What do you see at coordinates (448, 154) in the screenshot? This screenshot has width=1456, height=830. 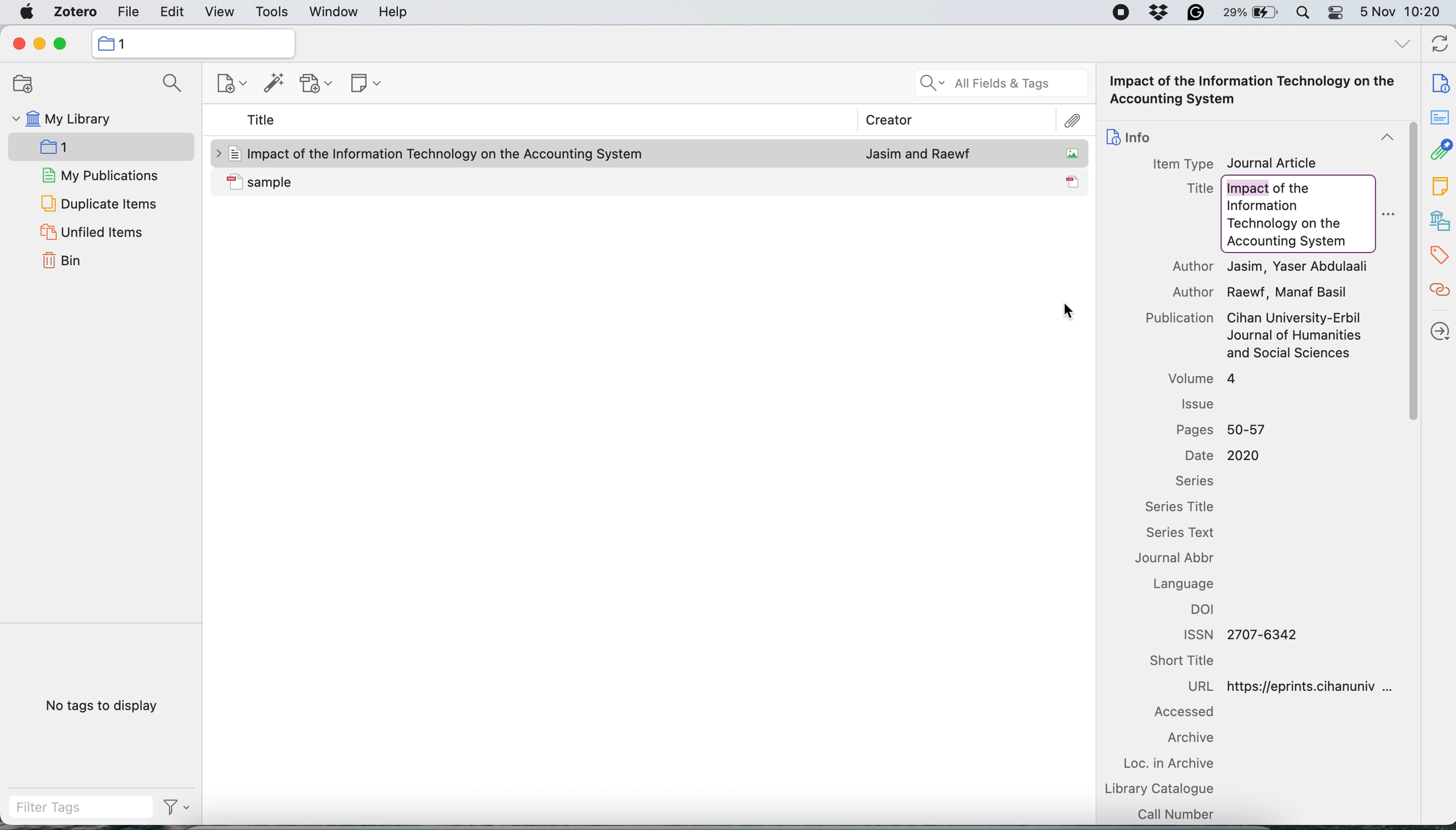 I see `Impact of the Information Technology on the Accounting System` at bounding box center [448, 154].